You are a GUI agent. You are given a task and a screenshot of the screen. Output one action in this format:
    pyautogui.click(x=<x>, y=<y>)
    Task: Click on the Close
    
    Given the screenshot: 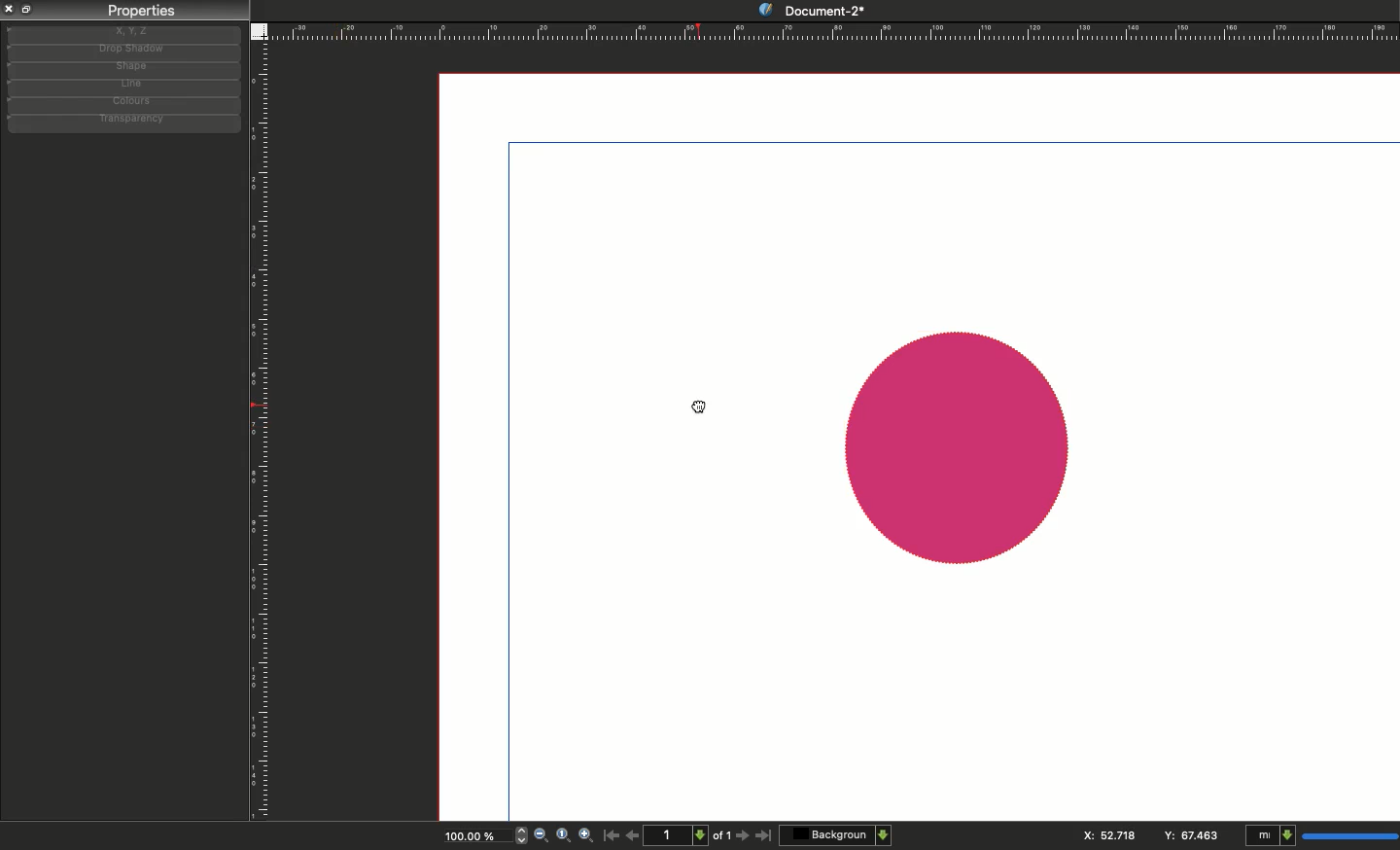 What is the action you would take?
    pyautogui.click(x=10, y=9)
    